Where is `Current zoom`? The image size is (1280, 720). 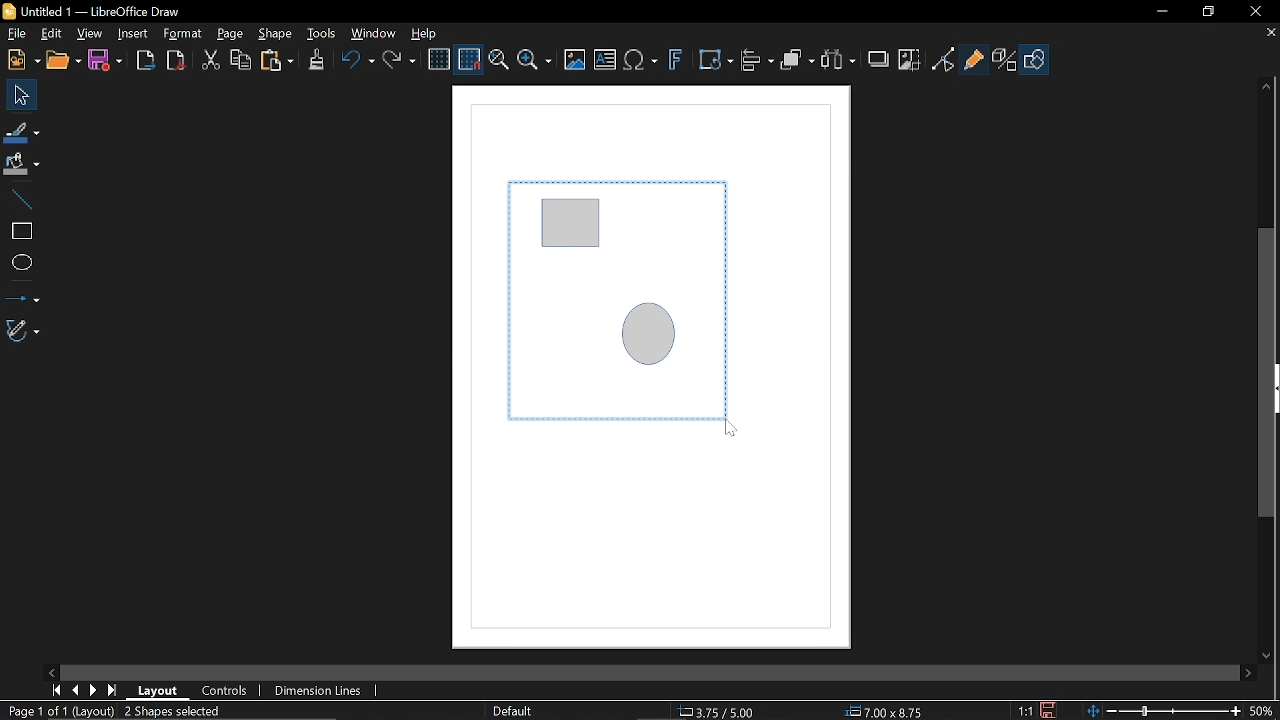
Current zoom is located at coordinates (1266, 712).